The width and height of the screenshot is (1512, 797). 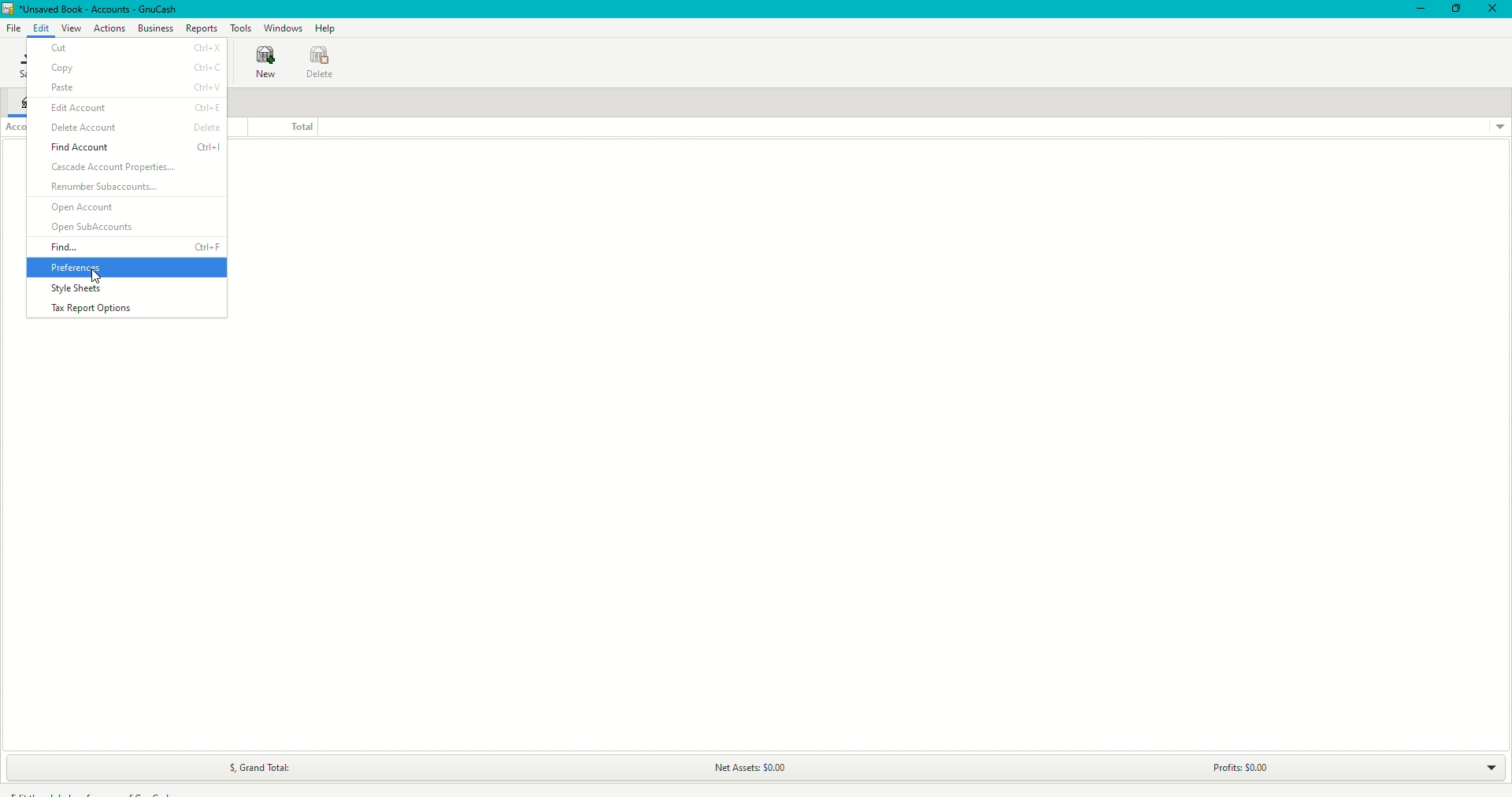 What do you see at coordinates (94, 228) in the screenshot?
I see `Open Subaccounts` at bounding box center [94, 228].